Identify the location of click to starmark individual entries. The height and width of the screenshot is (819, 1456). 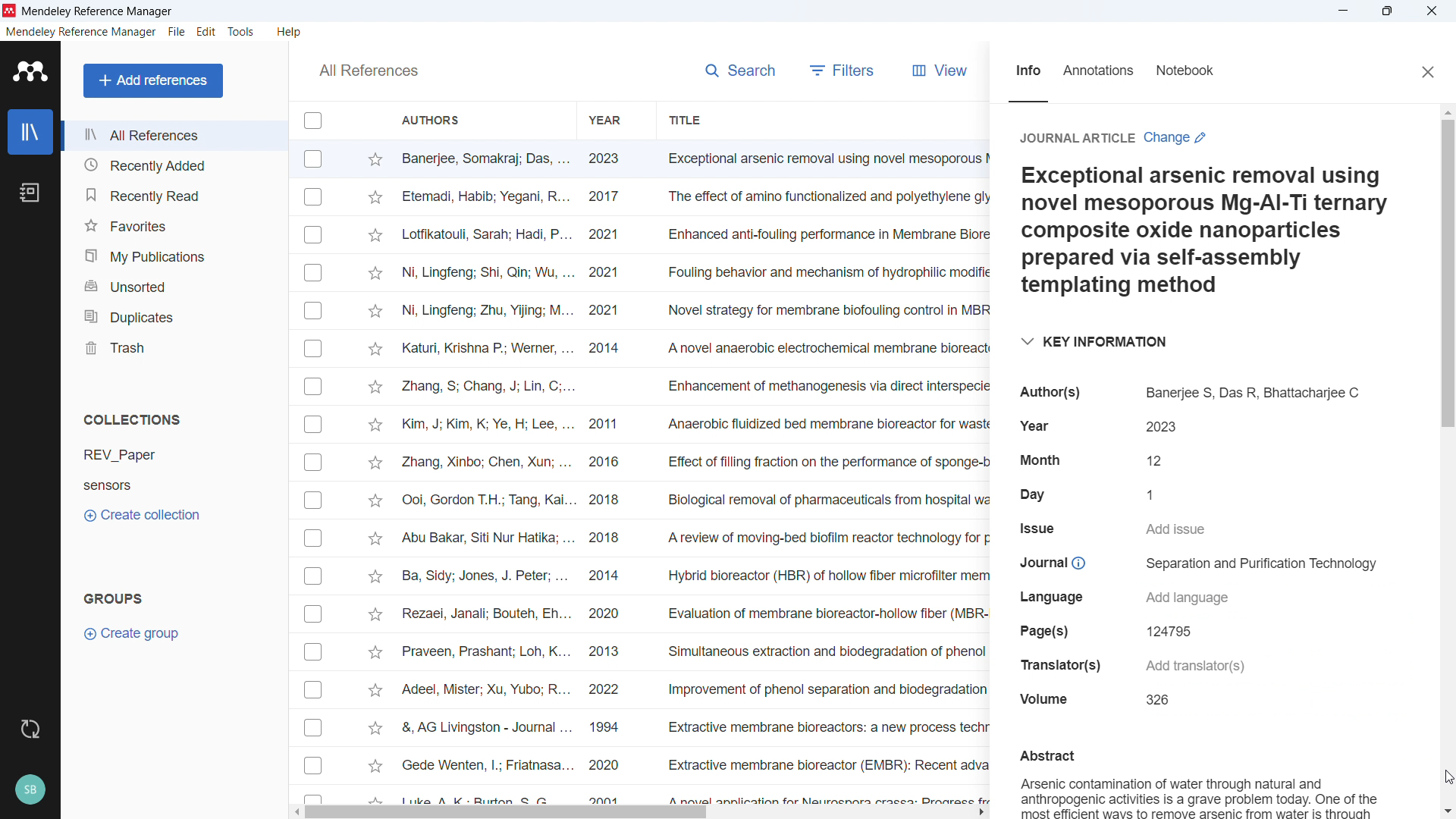
(372, 728).